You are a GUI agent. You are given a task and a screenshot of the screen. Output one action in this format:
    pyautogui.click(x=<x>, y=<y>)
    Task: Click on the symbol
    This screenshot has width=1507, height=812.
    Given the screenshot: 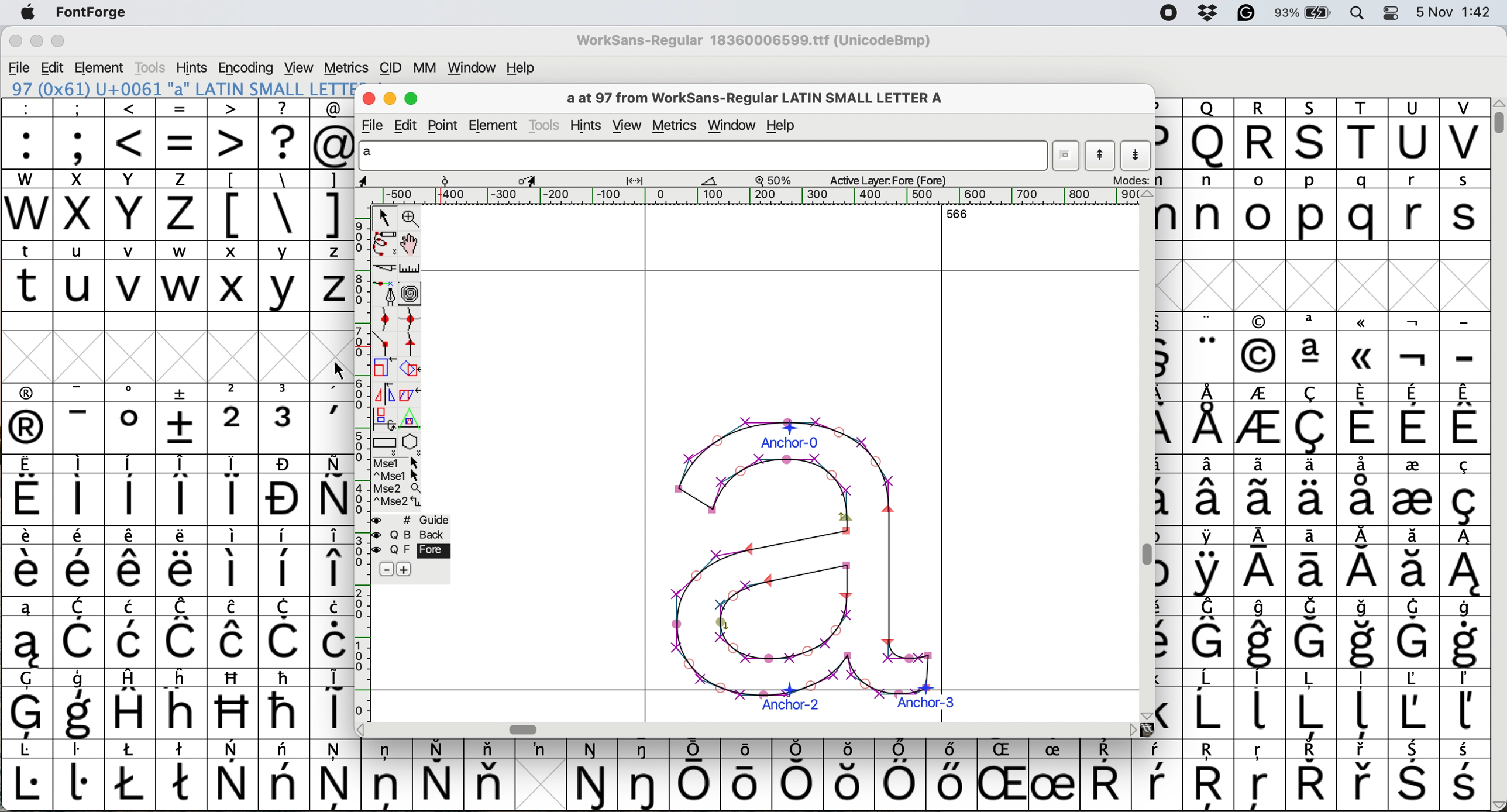 What is the action you would take?
    pyautogui.click(x=1262, y=633)
    